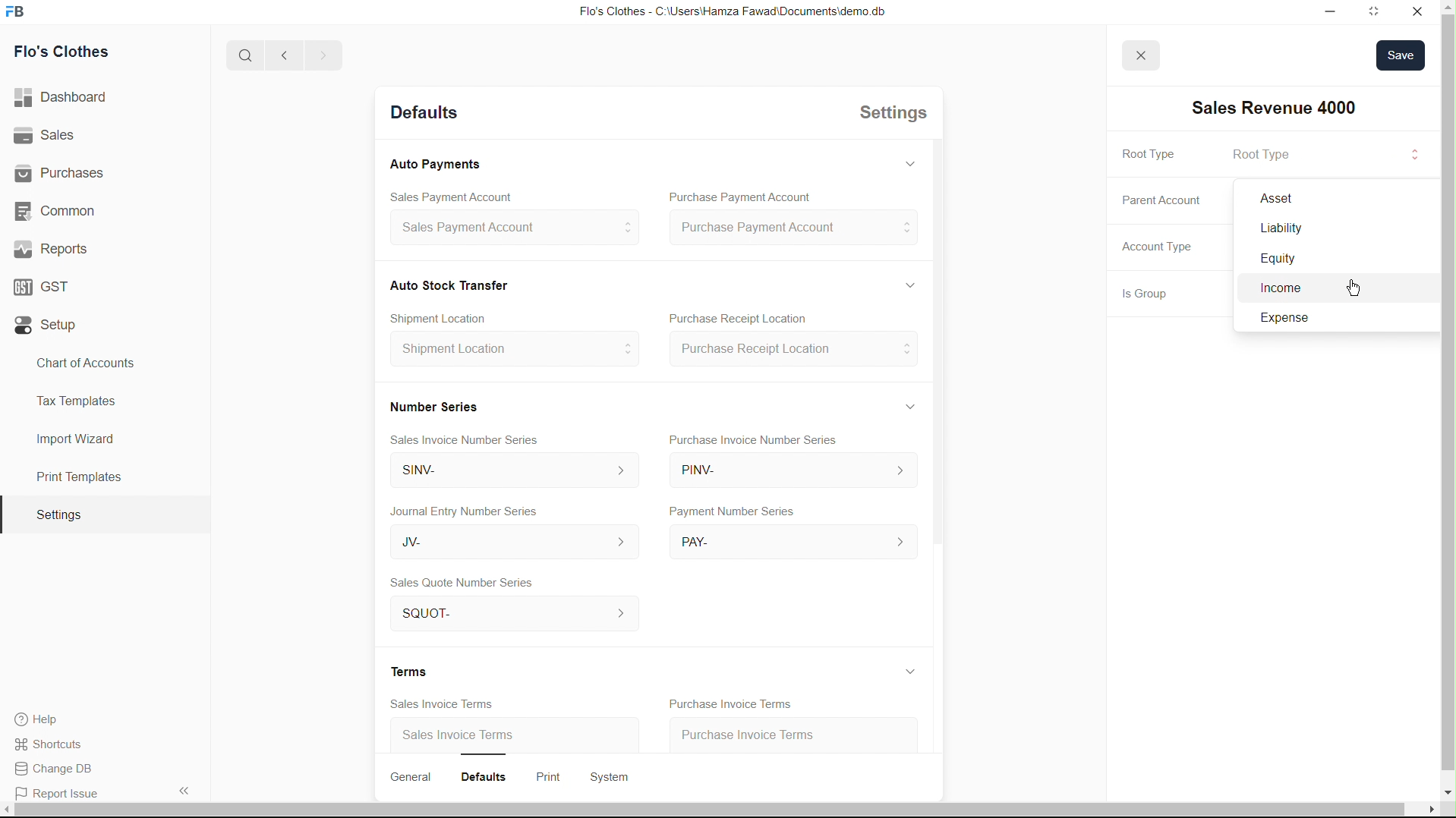 The width and height of the screenshot is (1456, 818). I want to click on sales Payment Account, so click(515, 229).